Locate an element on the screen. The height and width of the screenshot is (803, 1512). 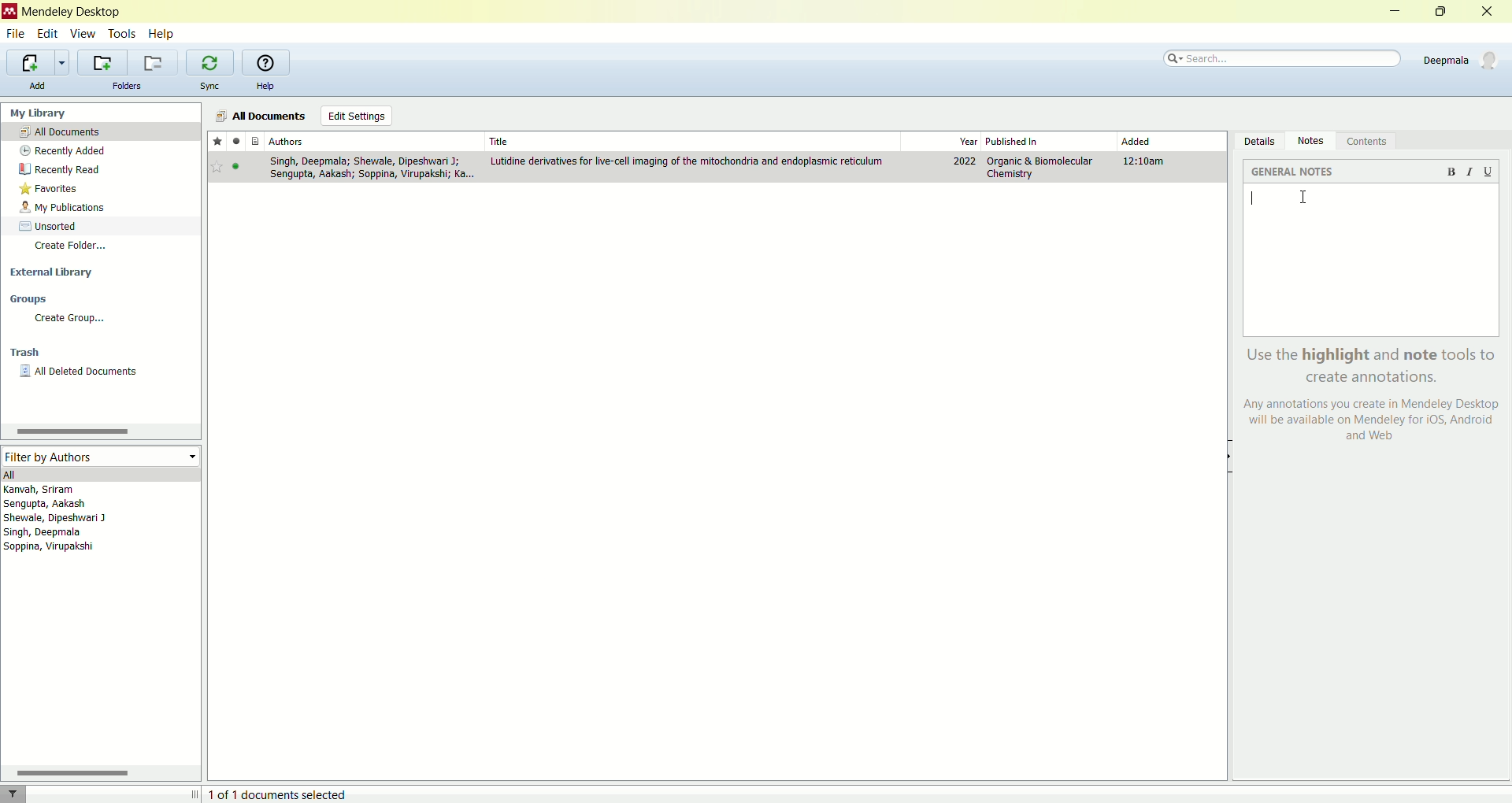
unsorted is located at coordinates (101, 224).